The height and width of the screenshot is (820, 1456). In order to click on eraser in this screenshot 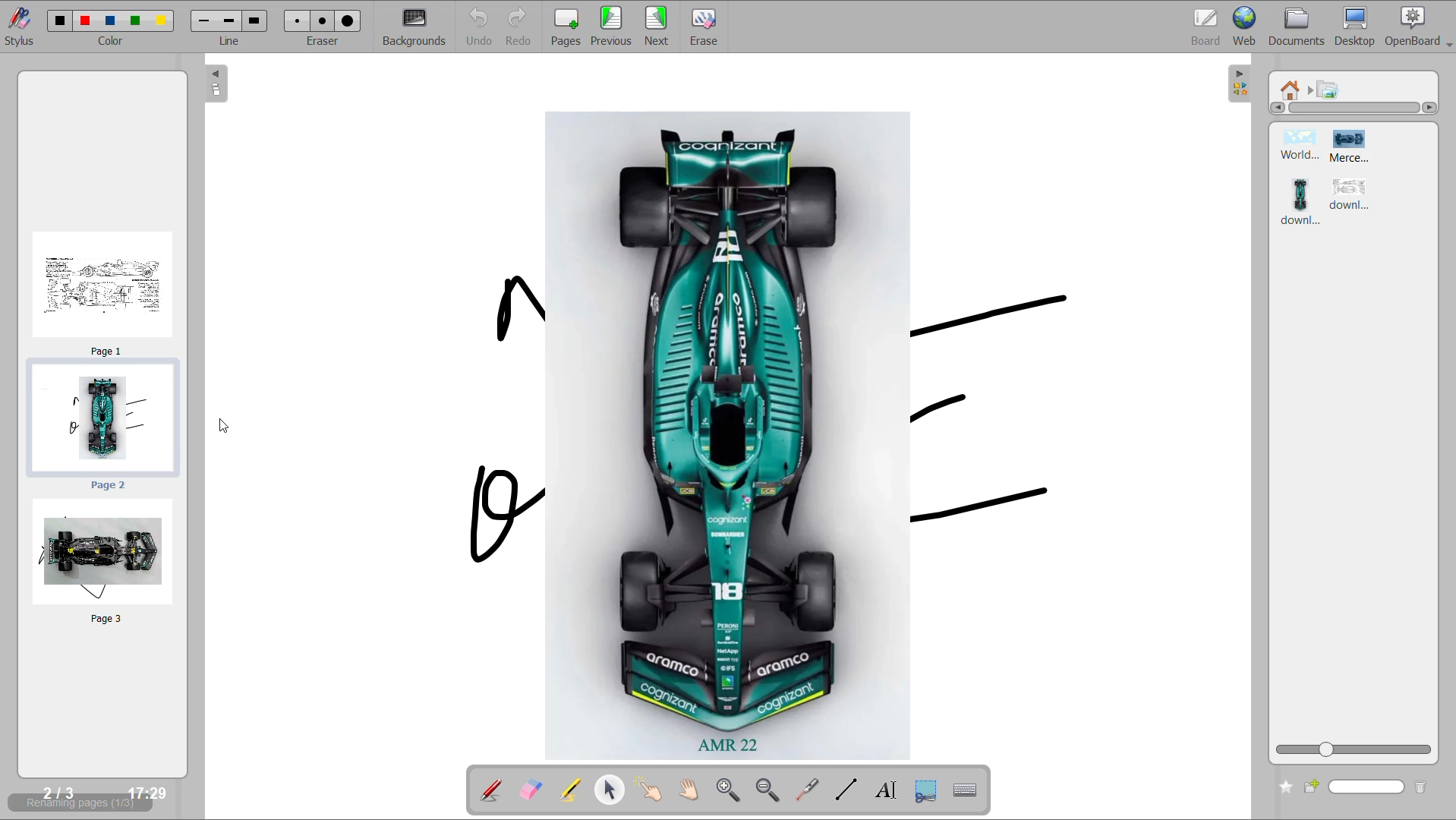, I will do `click(325, 43)`.